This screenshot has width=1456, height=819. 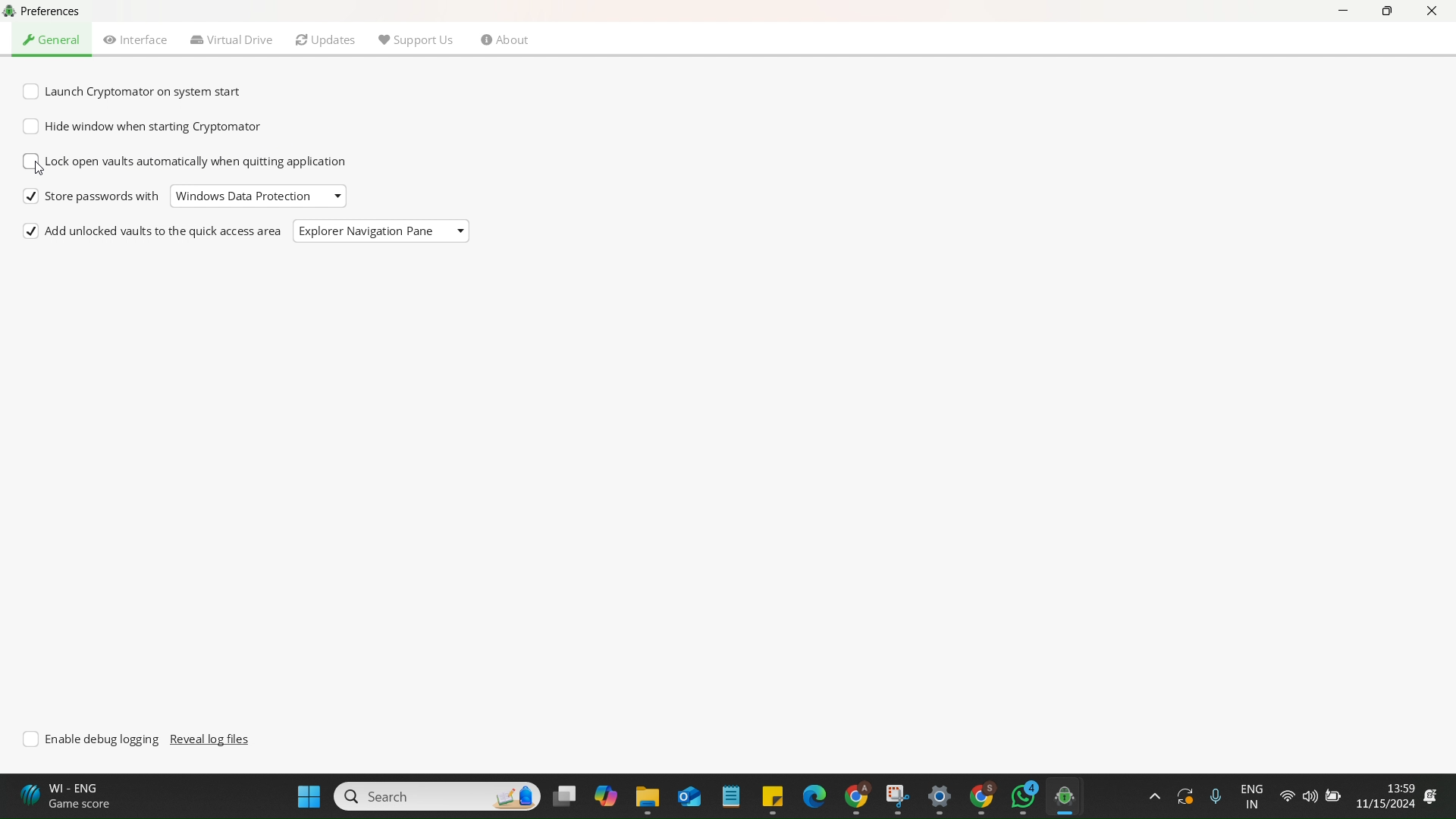 I want to click on Launch Cryptomator on System Start, so click(x=137, y=93).